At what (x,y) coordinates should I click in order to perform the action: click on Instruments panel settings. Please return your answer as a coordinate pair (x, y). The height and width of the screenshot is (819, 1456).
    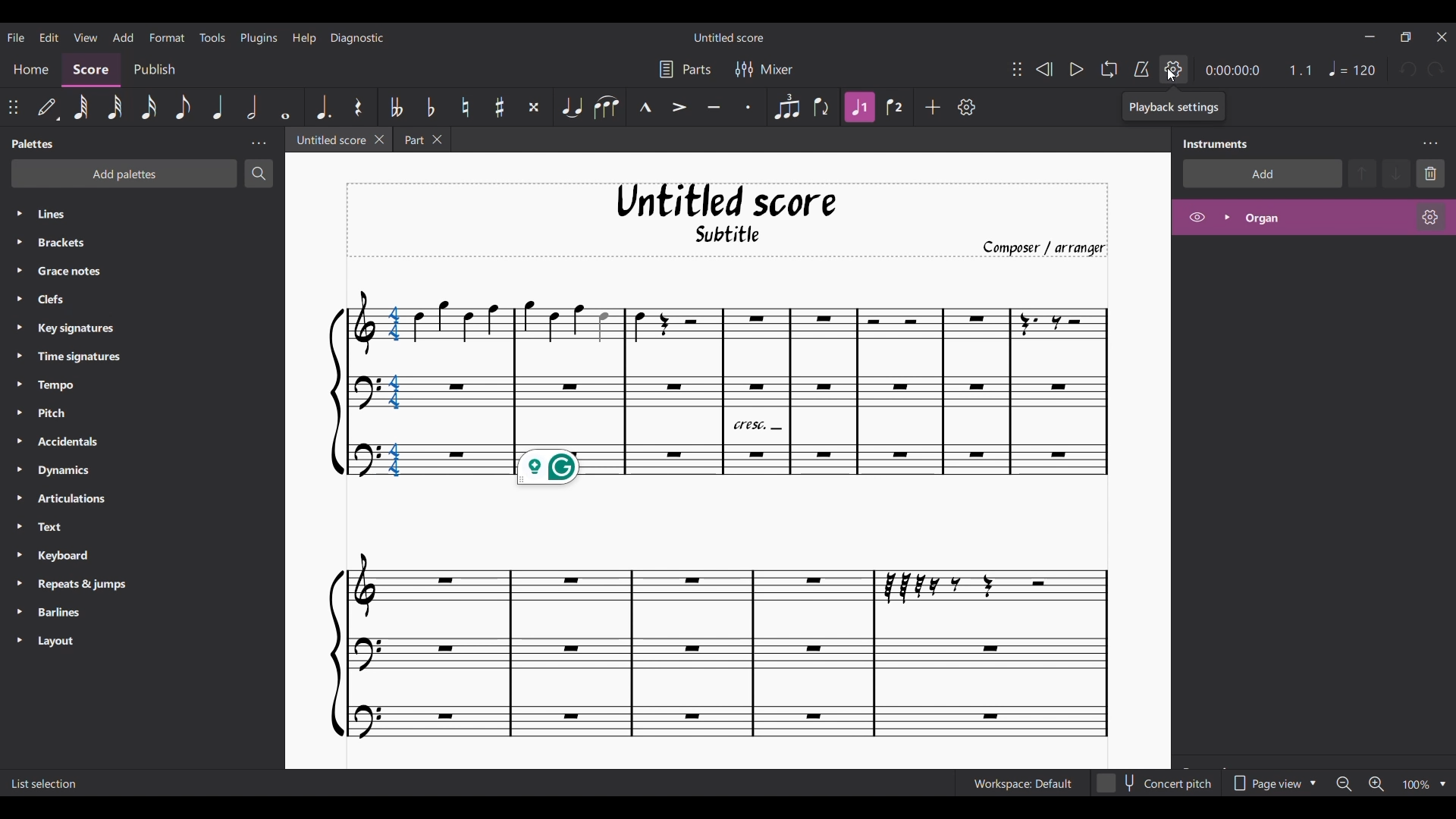
    Looking at the image, I should click on (1430, 144).